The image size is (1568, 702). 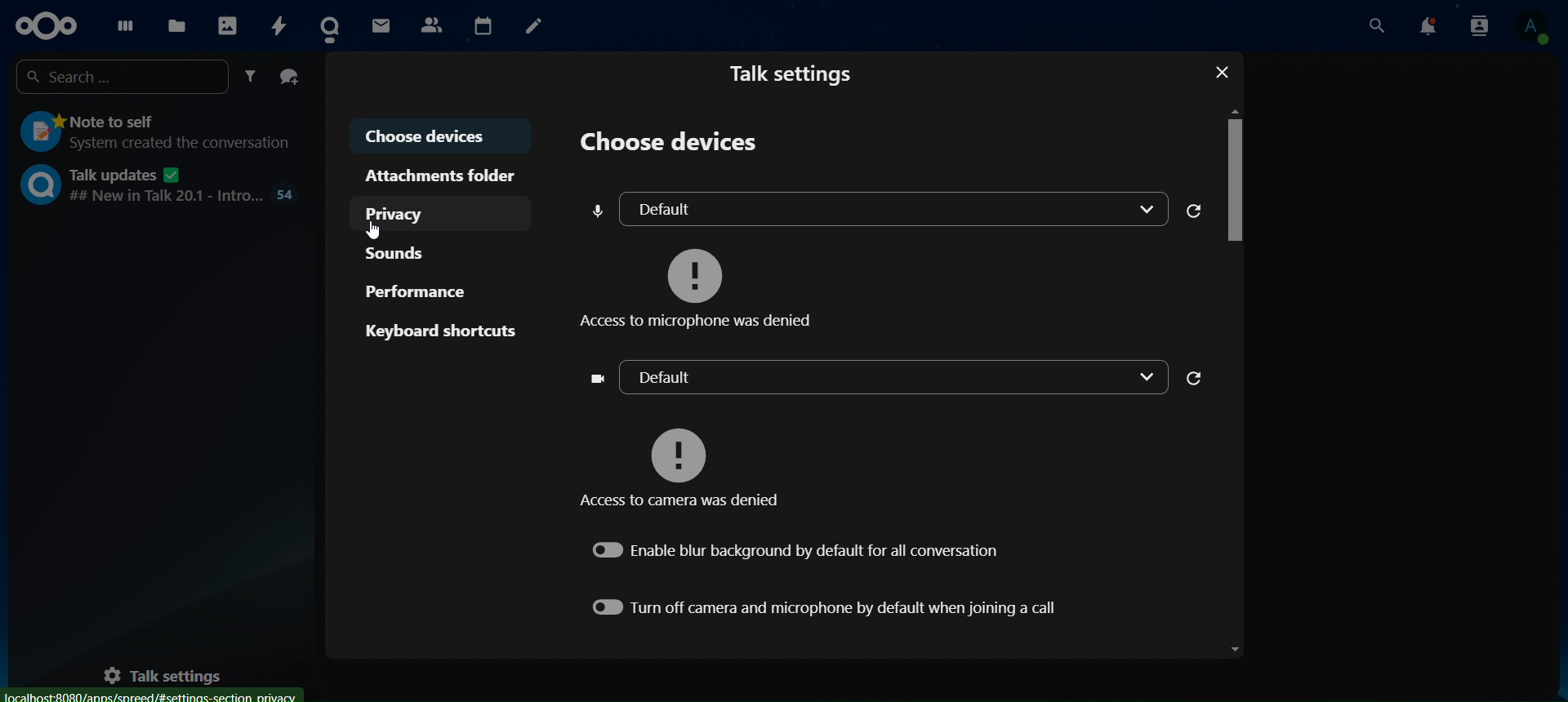 What do you see at coordinates (173, 672) in the screenshot?
I see `talk settings` at bounding box center [173, 672].